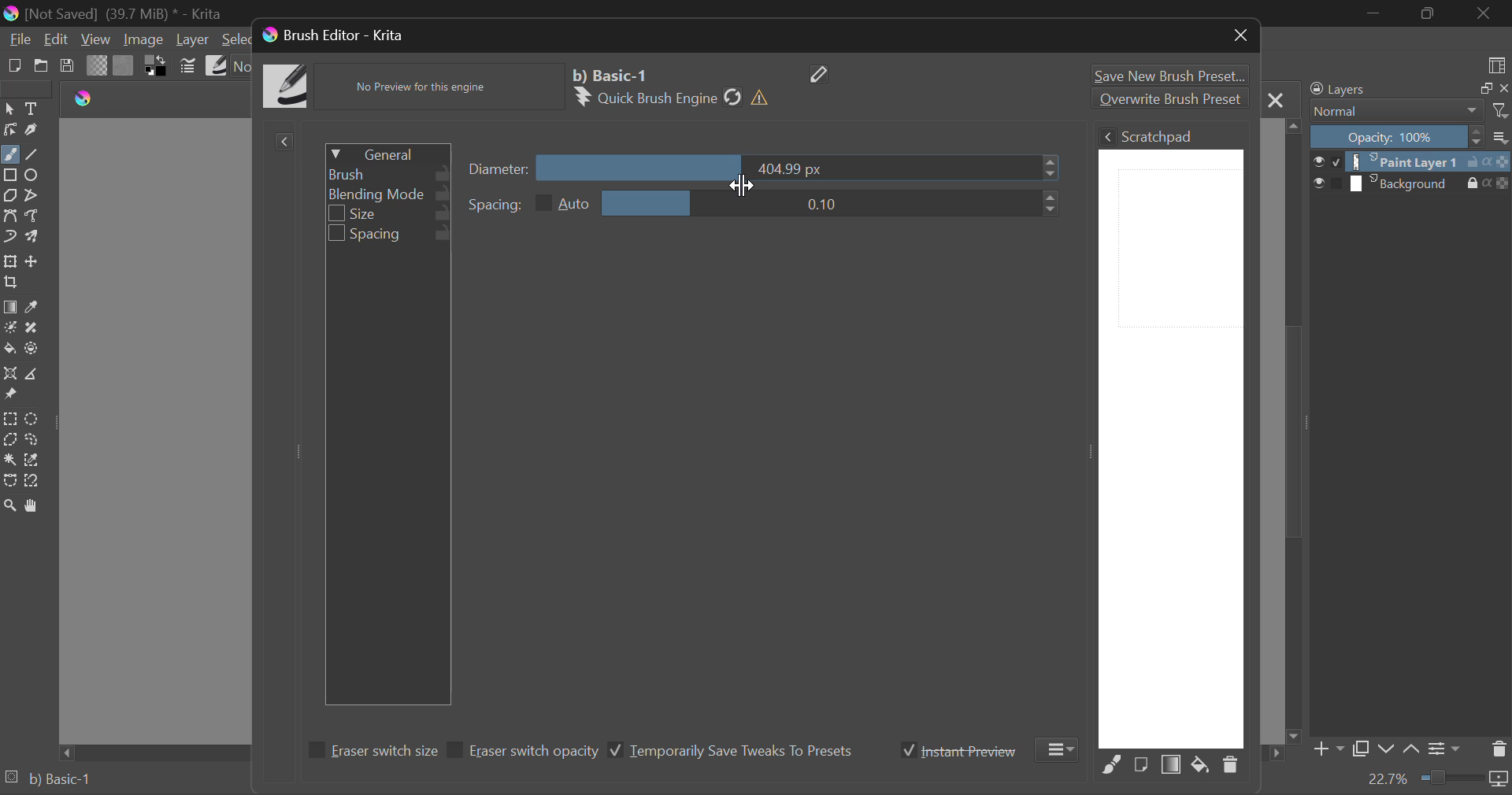  I want to click on No Preview for this engine, so click(425, 87).